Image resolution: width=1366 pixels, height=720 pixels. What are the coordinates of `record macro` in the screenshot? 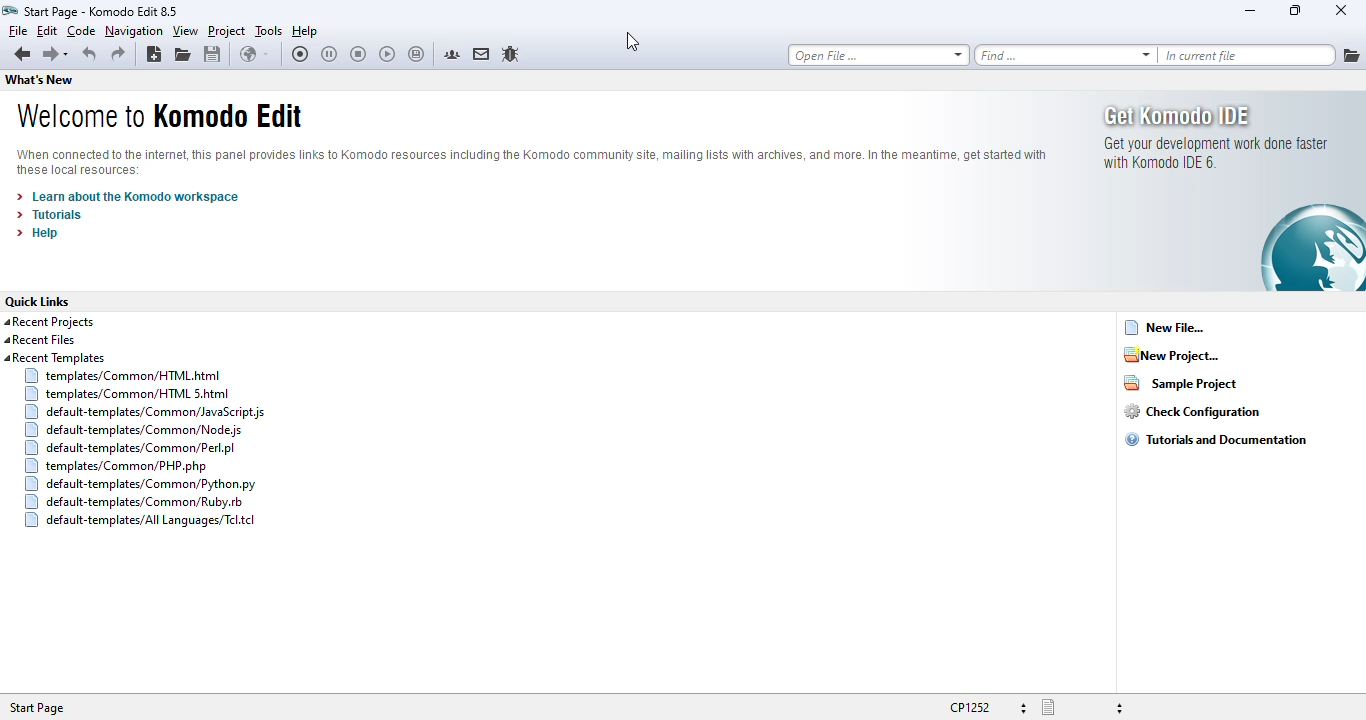 It's located at (301, 54).